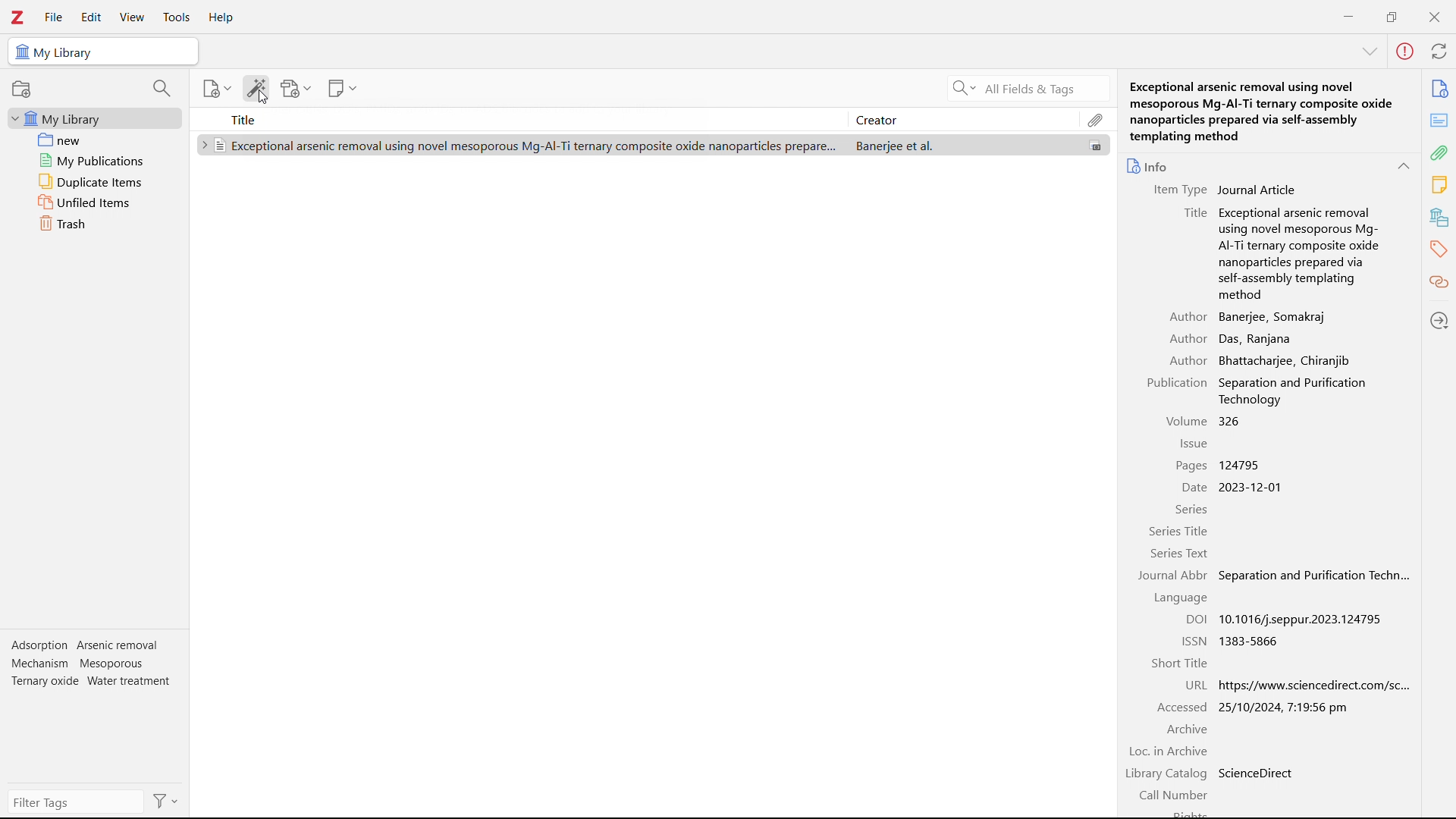 The width and height of the screenshot is (1456, 819). What do you see at coordinates (1439, 121) in the screenshot?
I see `abstract` at bounding box center [1439, 121].